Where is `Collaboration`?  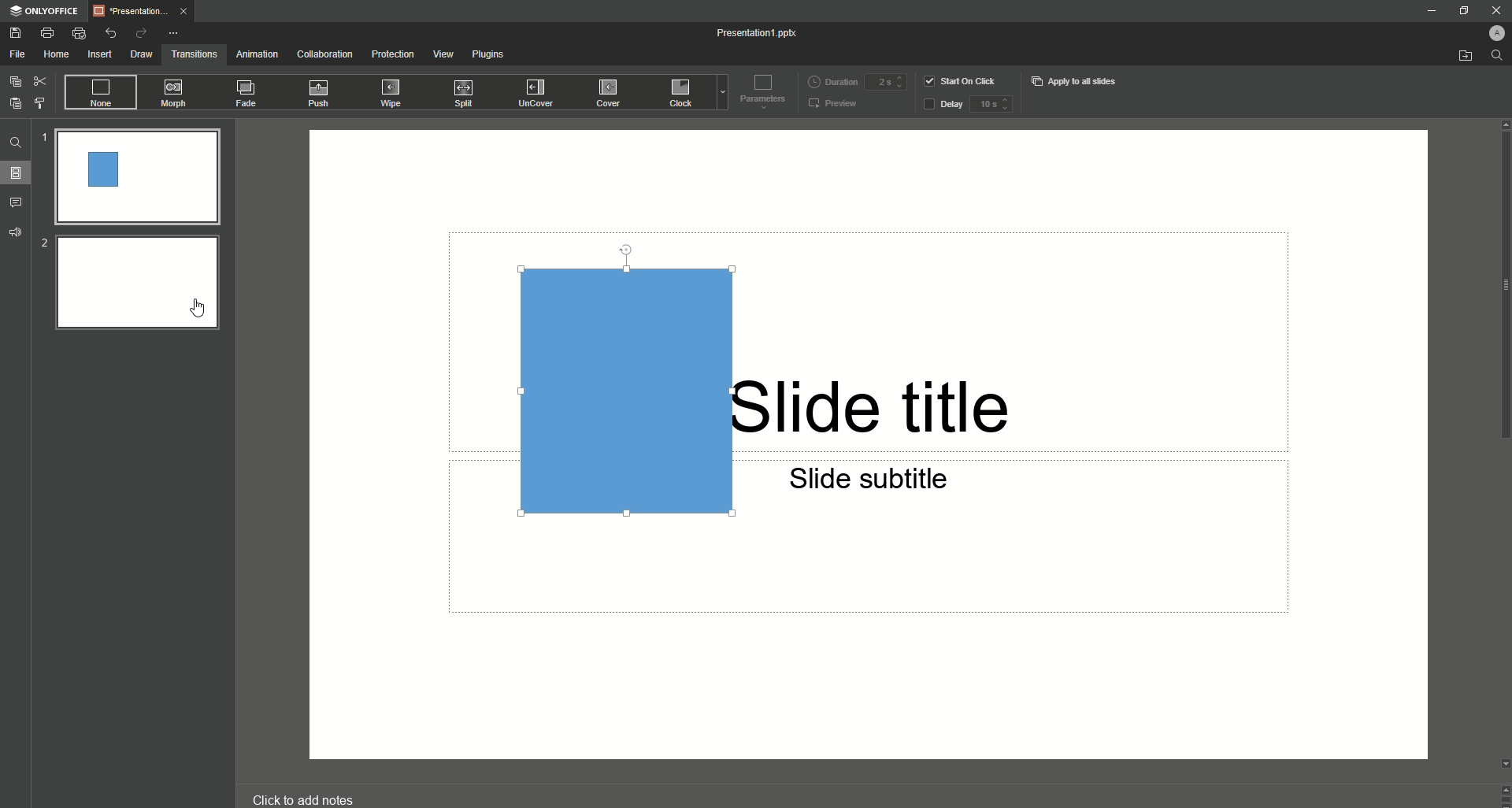 Collaboration is located at coordinates (324, 52).